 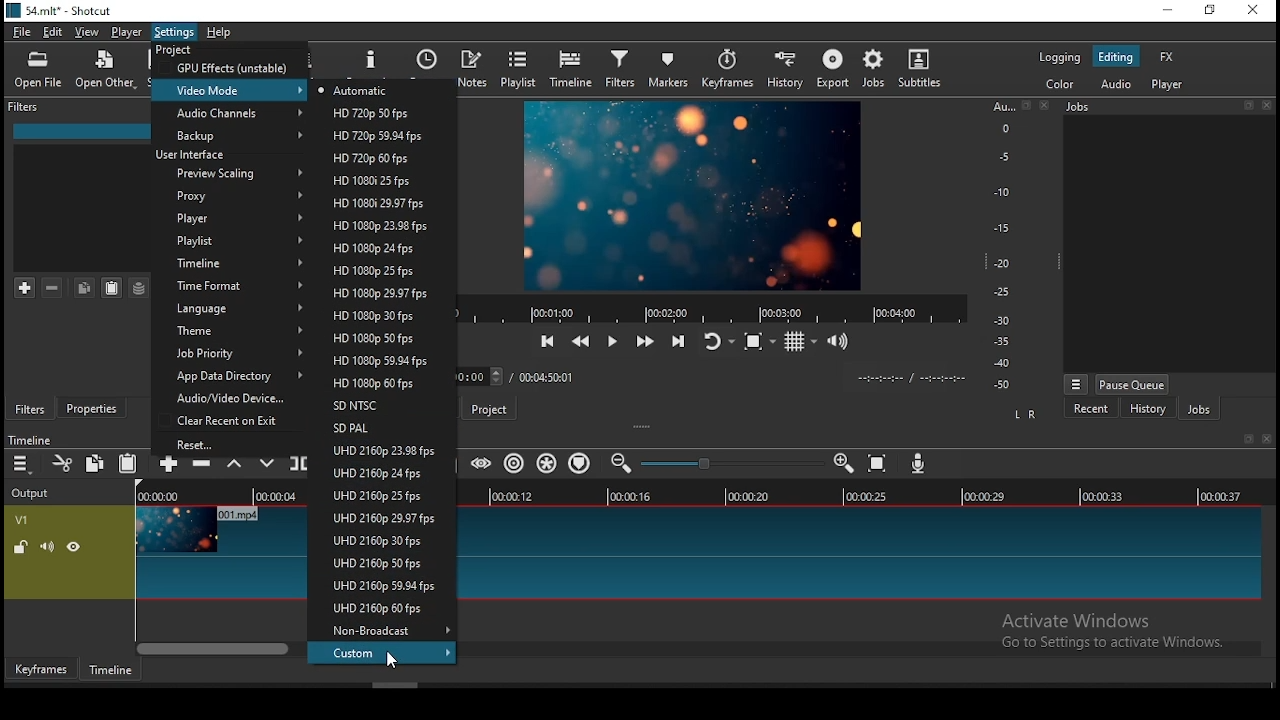 I want to click on language, so click(x=231, y=309).